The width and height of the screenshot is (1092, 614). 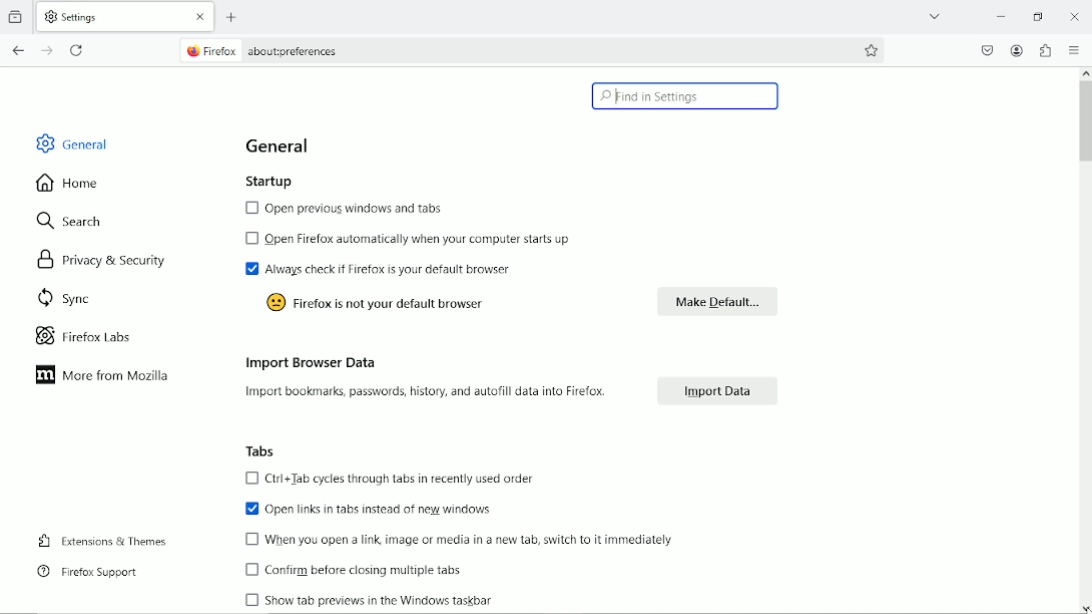 What do you see at coordinates (406, 240) in the screenshot?
I see `Open firefox automatically when your computer starts up` at bounding box center [406, 240].